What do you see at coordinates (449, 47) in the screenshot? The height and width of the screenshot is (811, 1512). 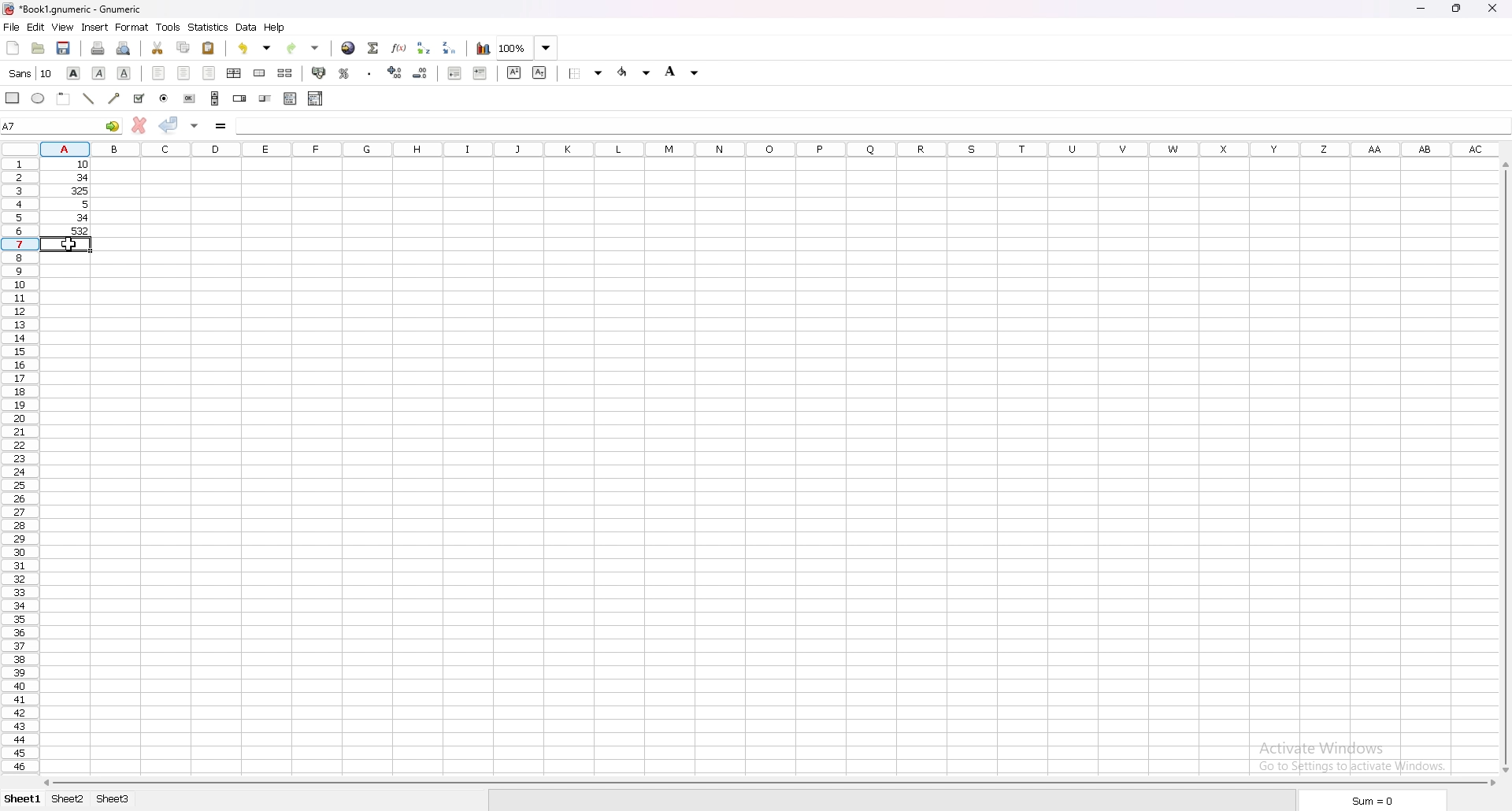 I see `sort descending` at bounding box center [449, 47].